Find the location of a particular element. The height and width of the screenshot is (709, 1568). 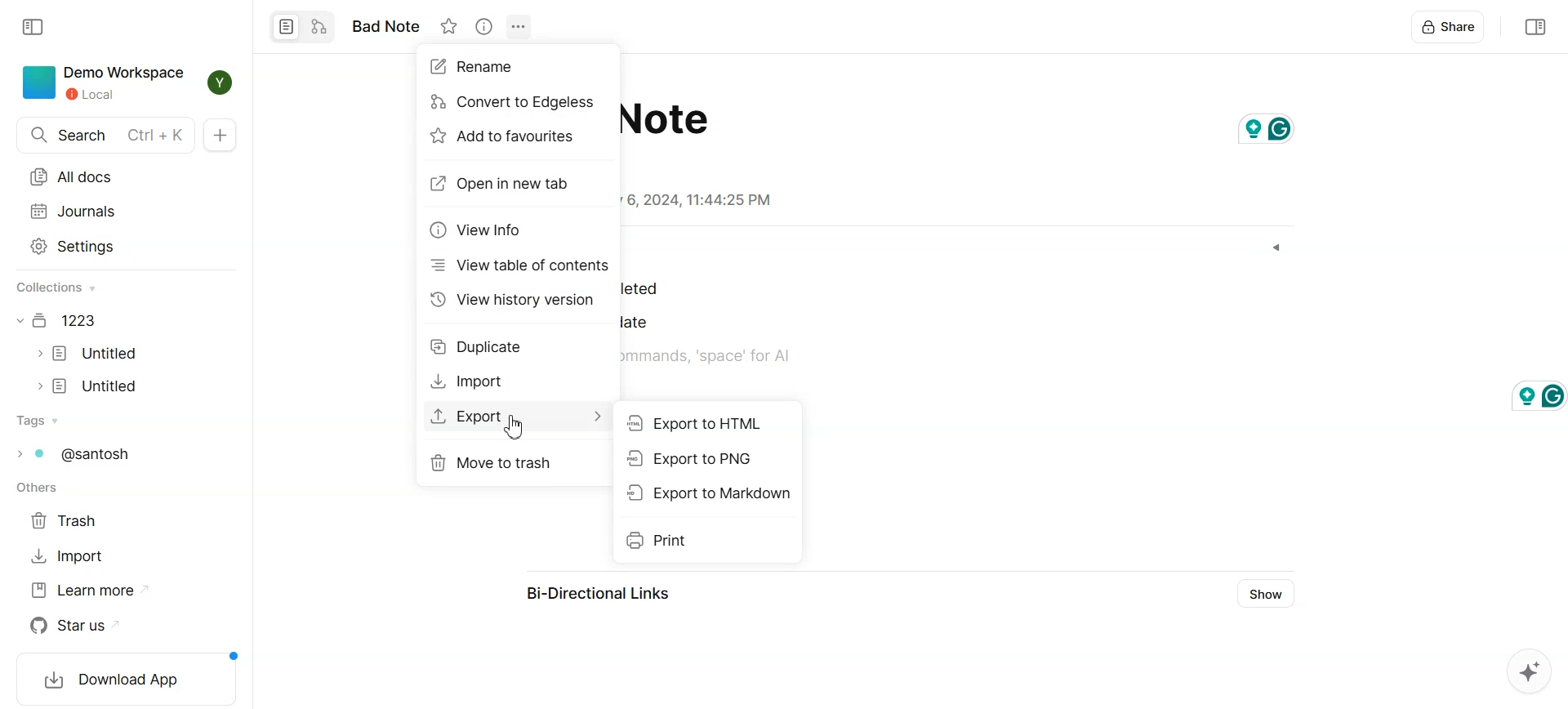

Profile is located at coordinates (220, 84).